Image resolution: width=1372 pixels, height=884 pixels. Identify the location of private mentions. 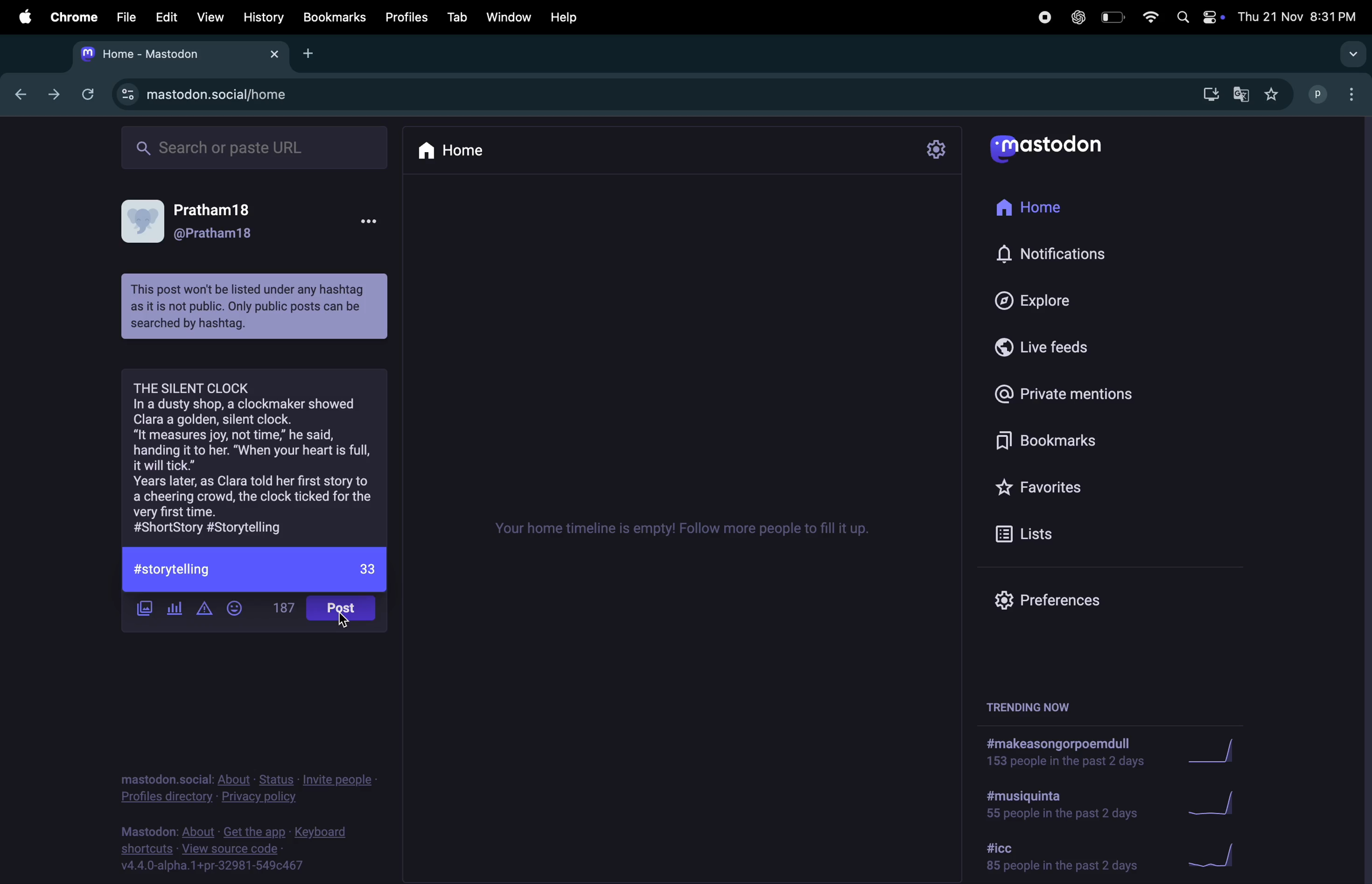
(1061, 396).